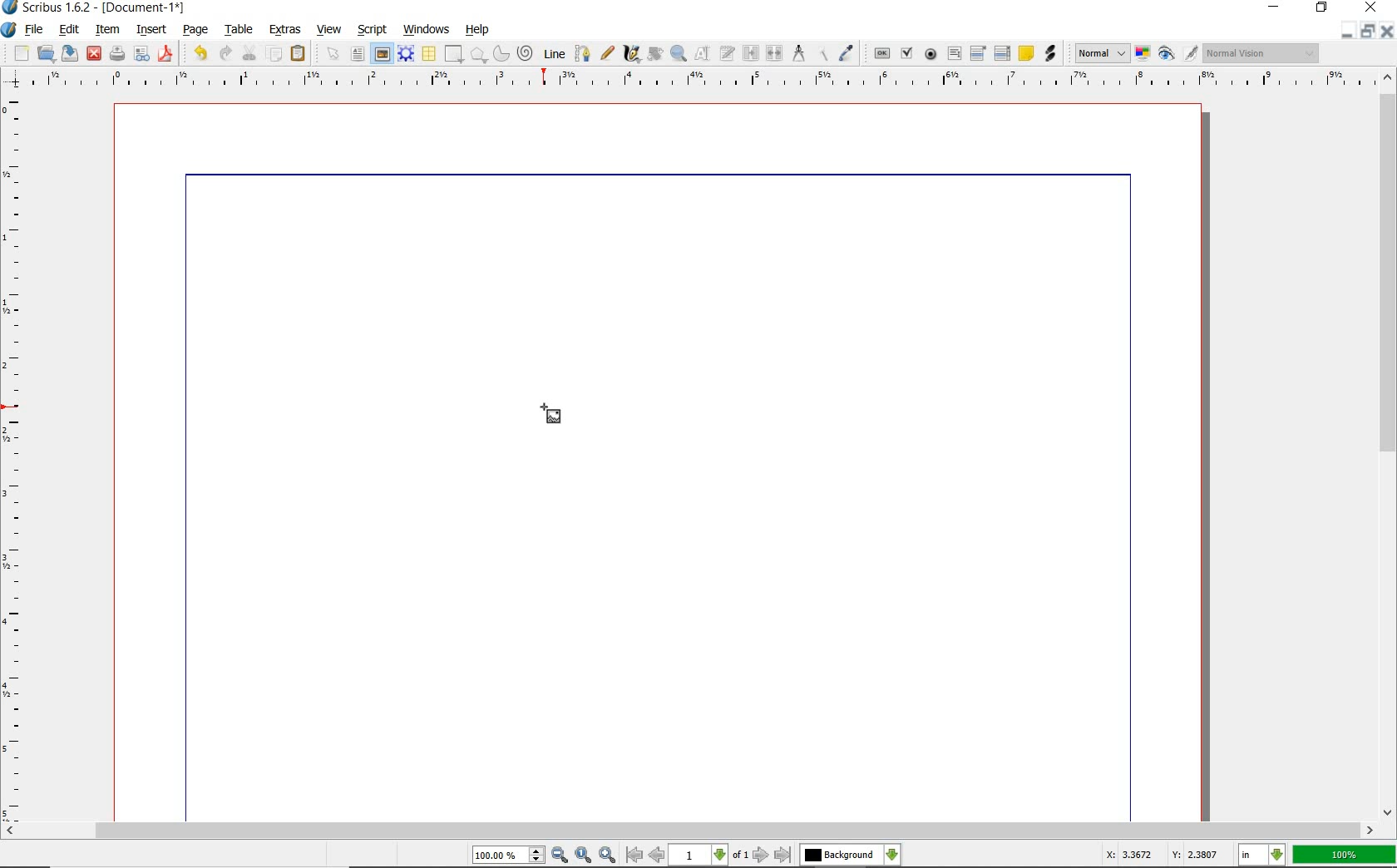 This screenshot has height=868, width=1397. Describe the element at coordinates (728, 53) in the screenshot. I see `edit text with story editor` at that location.